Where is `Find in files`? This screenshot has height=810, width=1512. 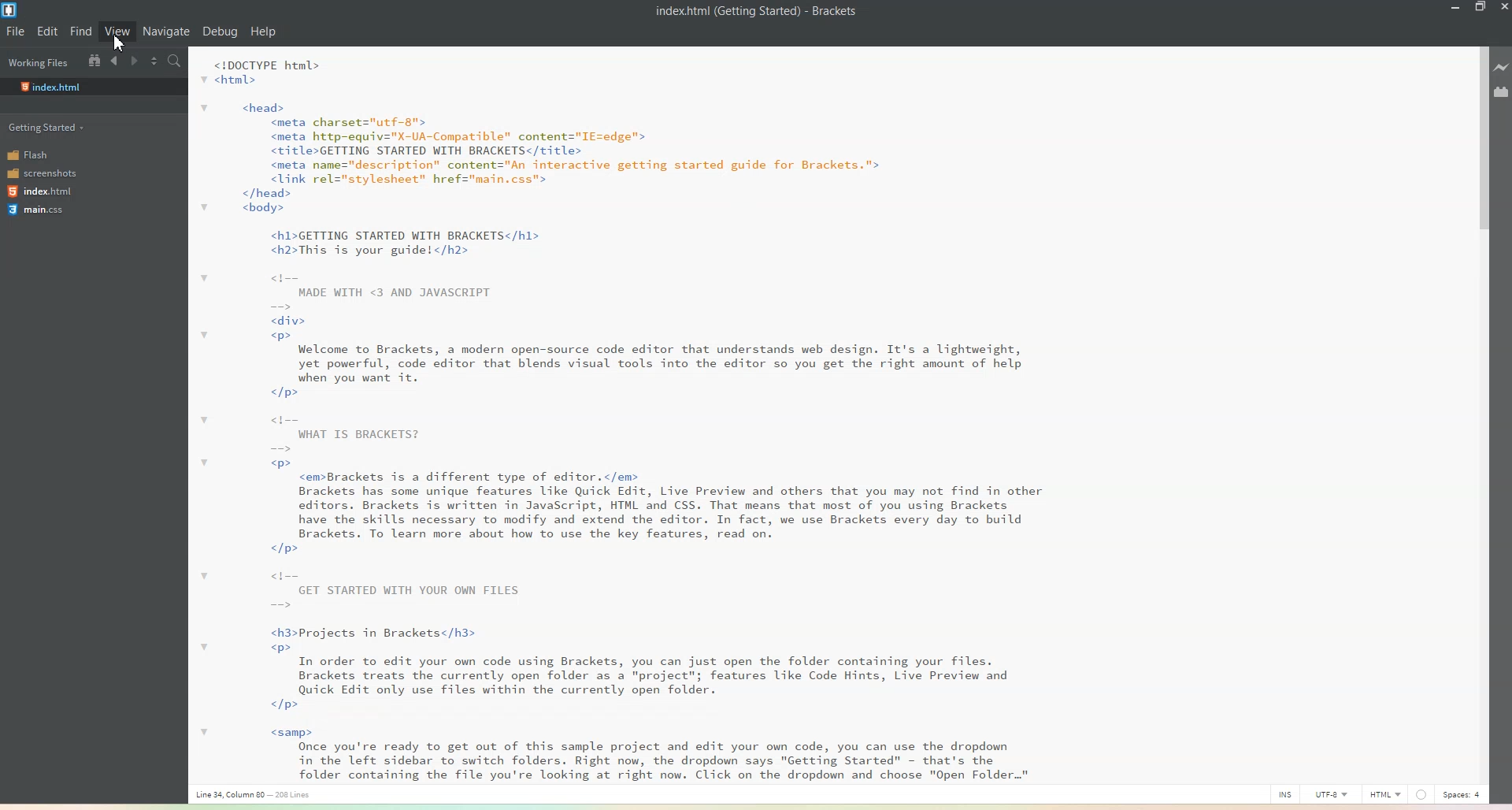
Find in files is located at coordinates (175, 61).